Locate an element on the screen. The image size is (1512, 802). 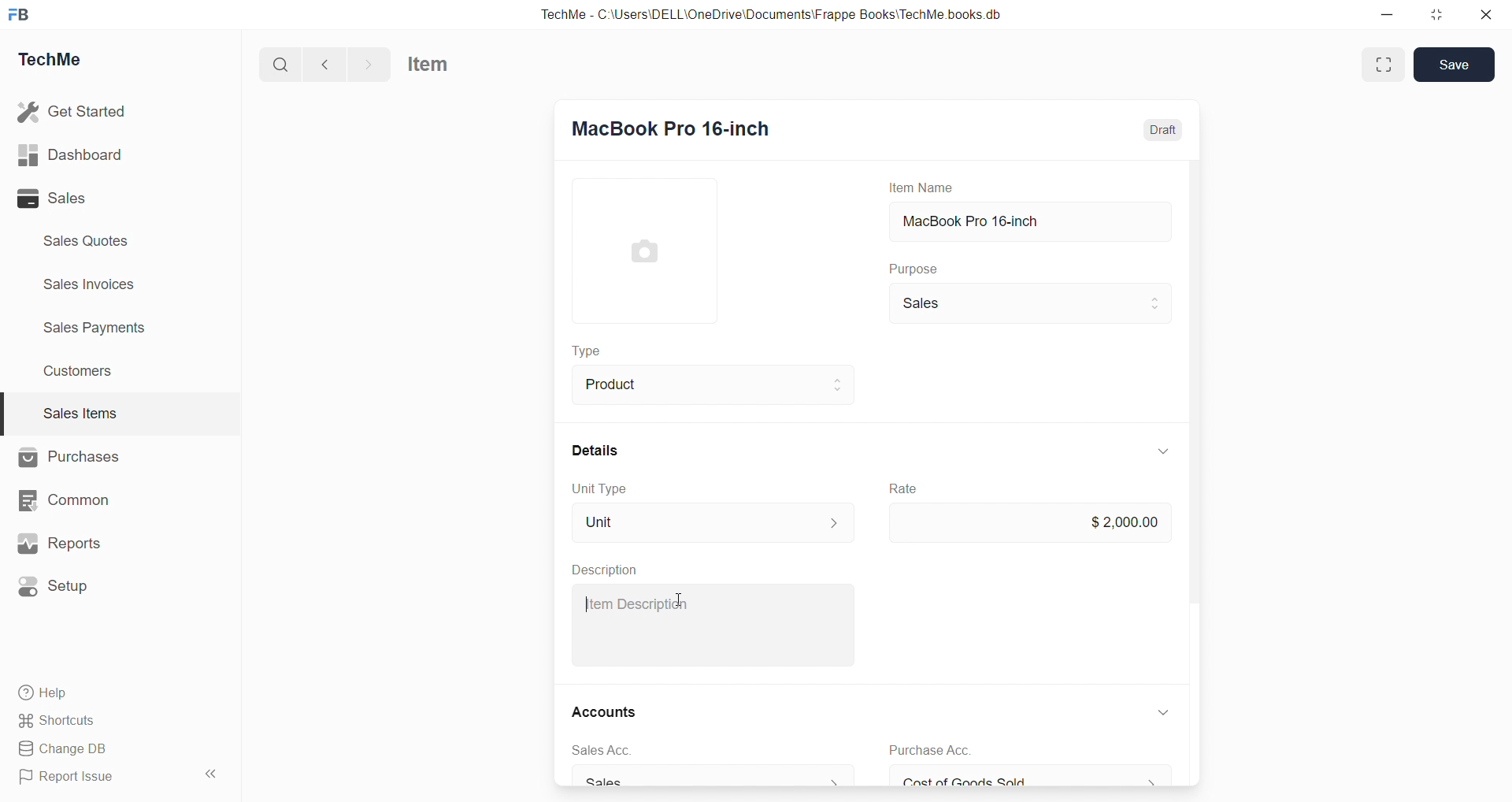
MacBook Pro 16-inch is located at coordinates (1028, 221).